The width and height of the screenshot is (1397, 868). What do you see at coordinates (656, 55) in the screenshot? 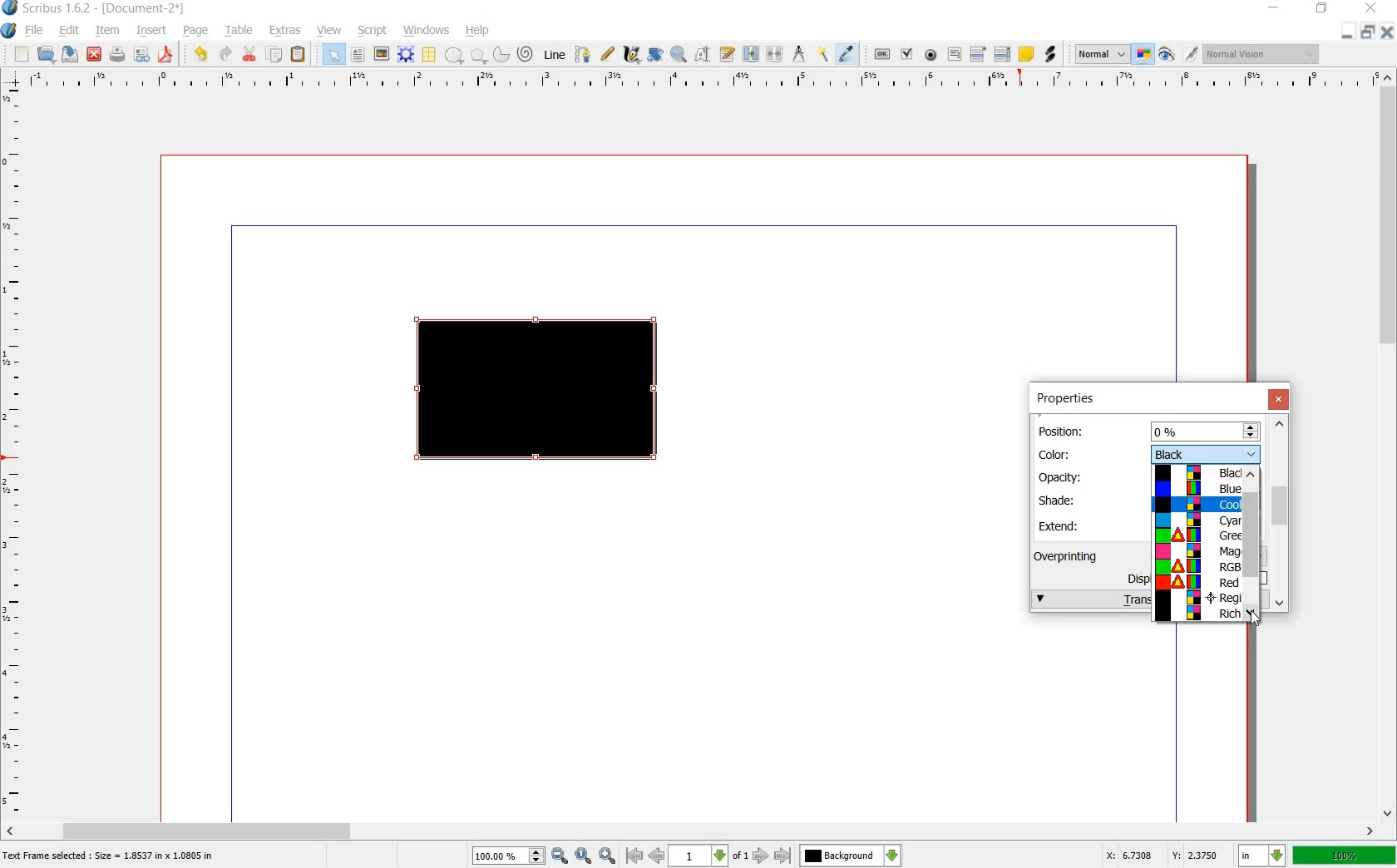
I see `rotate item` at bounding box center [656, 55].